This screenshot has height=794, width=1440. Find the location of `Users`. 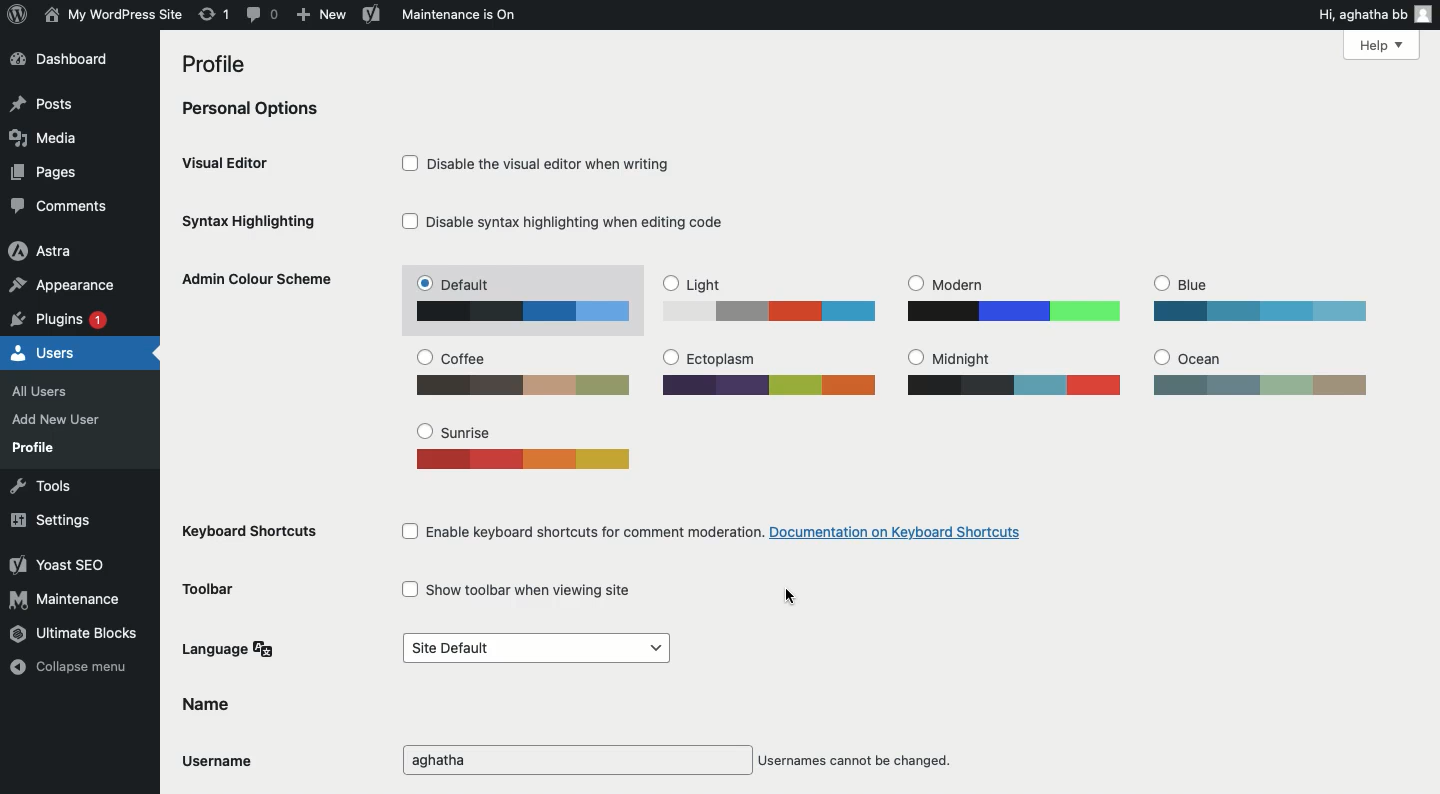

Users is located at coordinates (47, 353).